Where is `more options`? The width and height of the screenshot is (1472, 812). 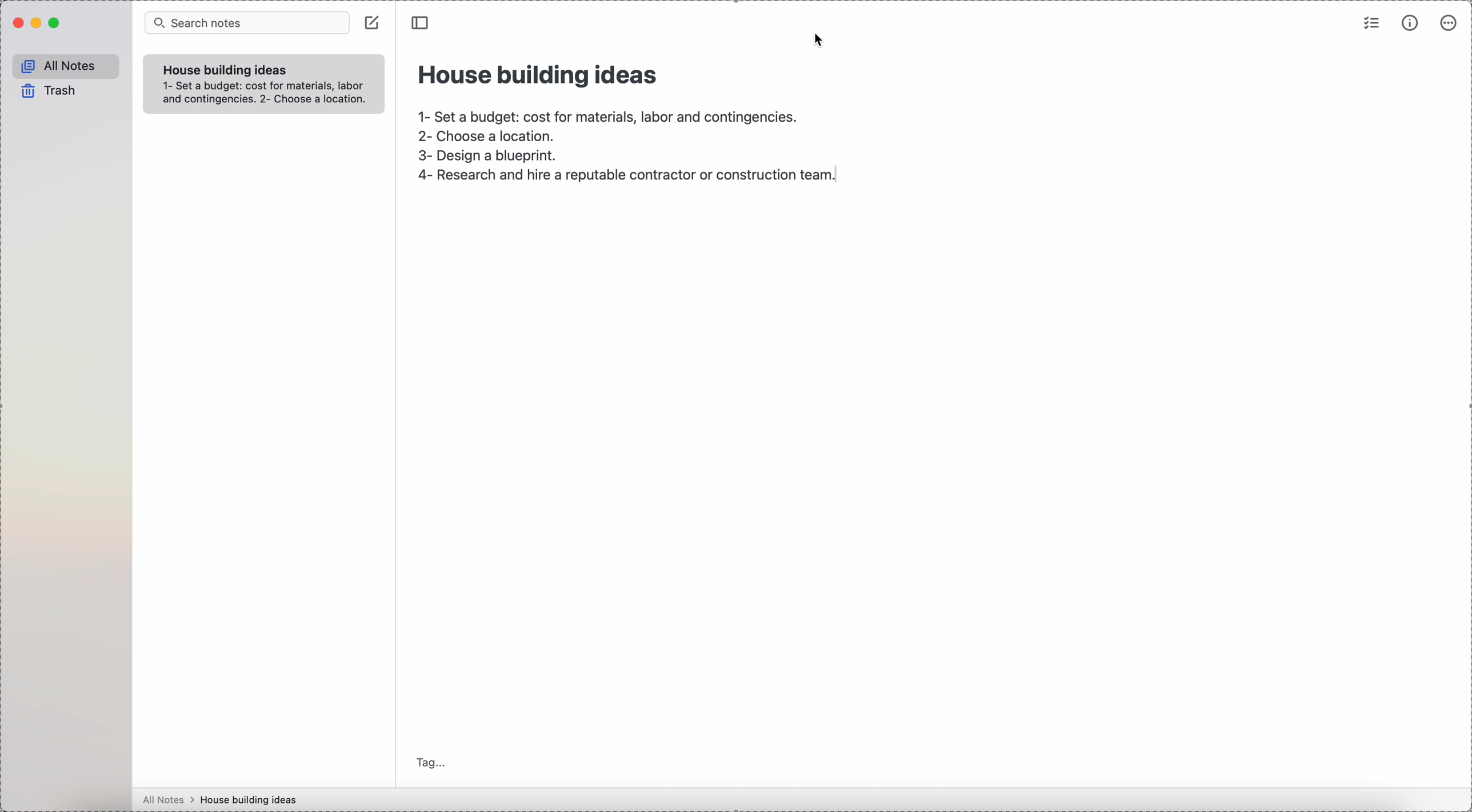
more options is located at coordinates (1450, 23).